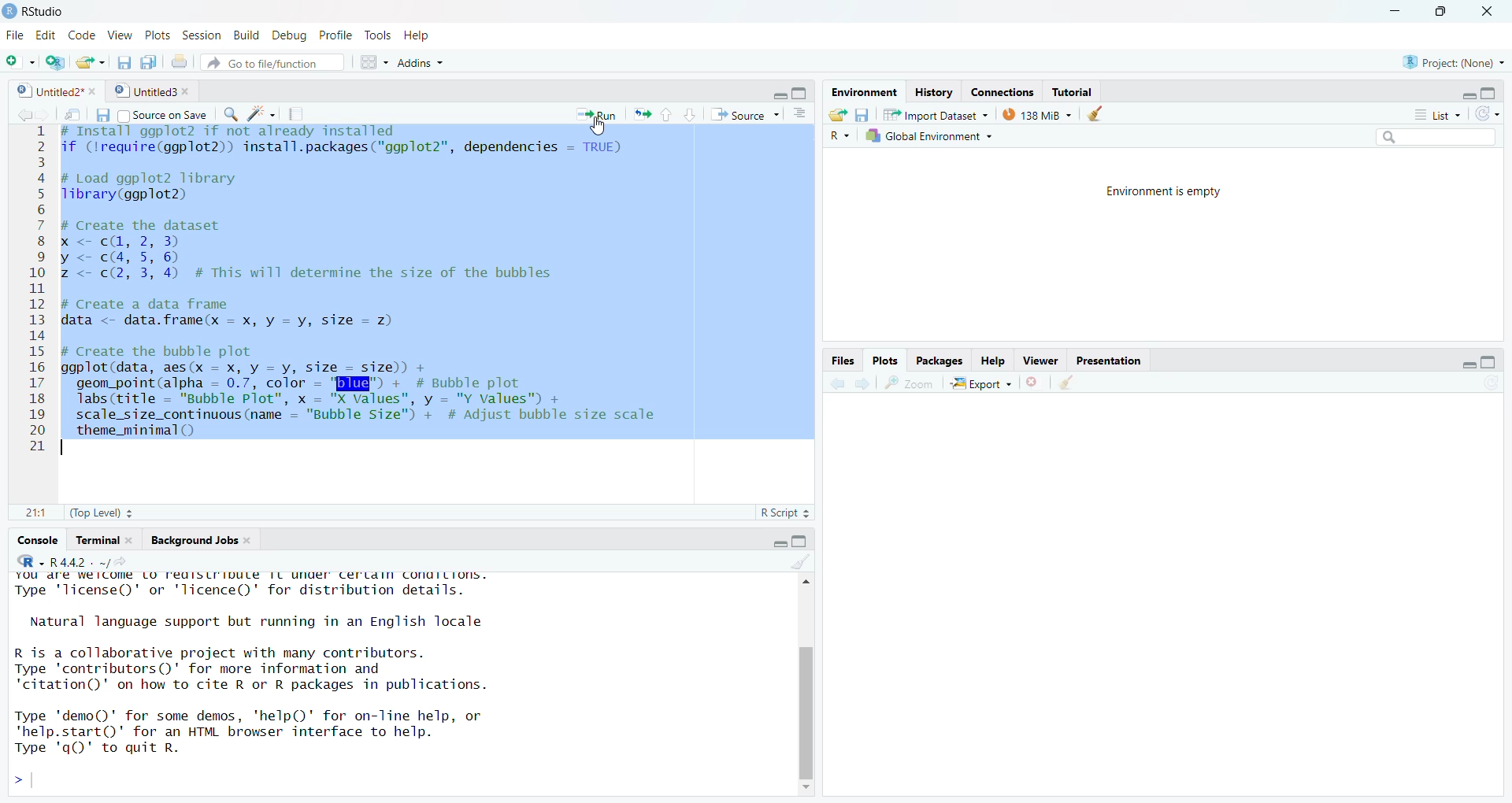 The width and height of the screenshot is (1512, 803). Describe the element at coordinates (1494, 10) in the screenshot. I see `Close` at that location.